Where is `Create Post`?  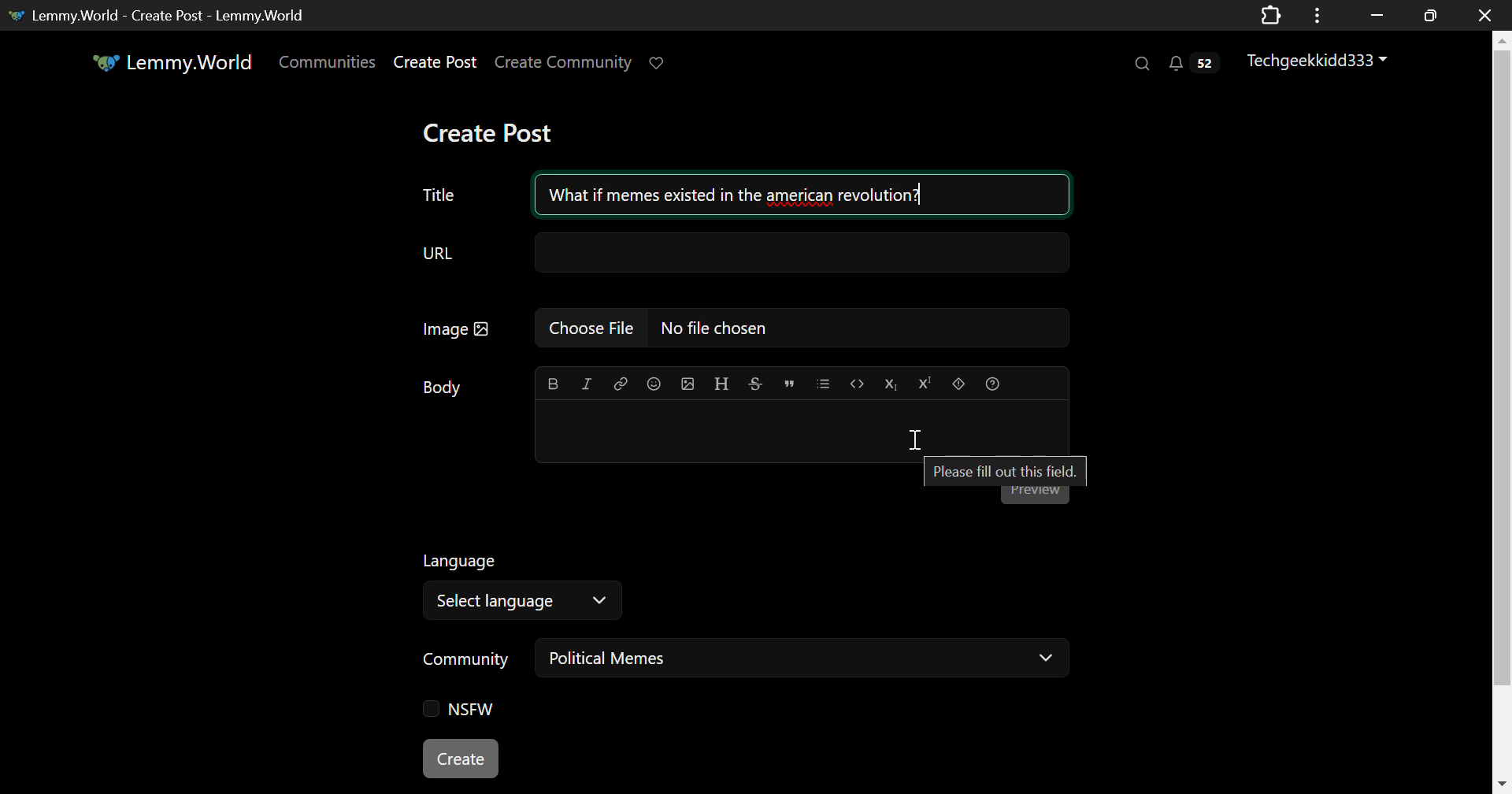
Create Post is located at coordinates (498, 132).